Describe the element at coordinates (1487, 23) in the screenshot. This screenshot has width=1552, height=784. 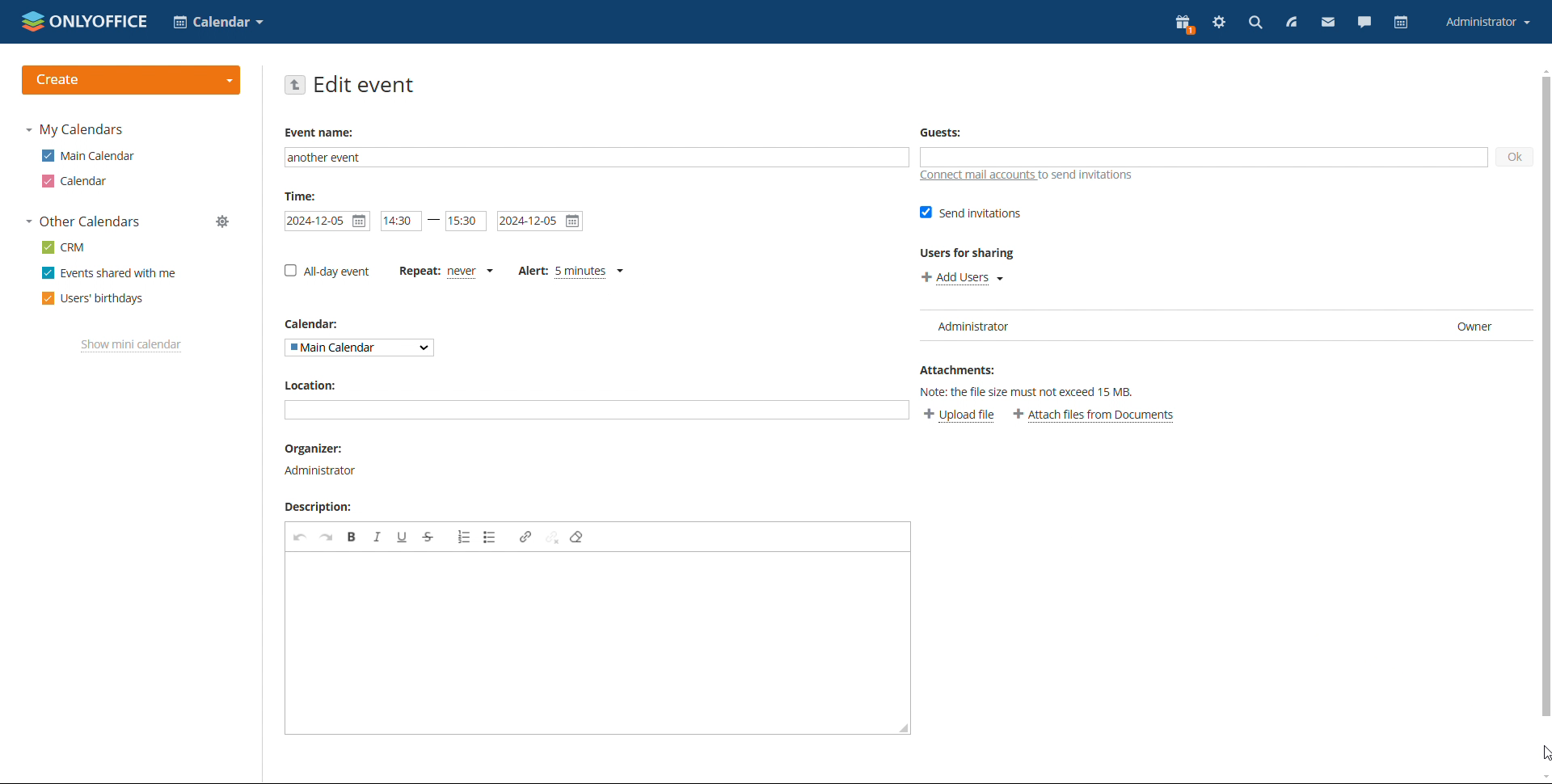
I see `account` at that location.